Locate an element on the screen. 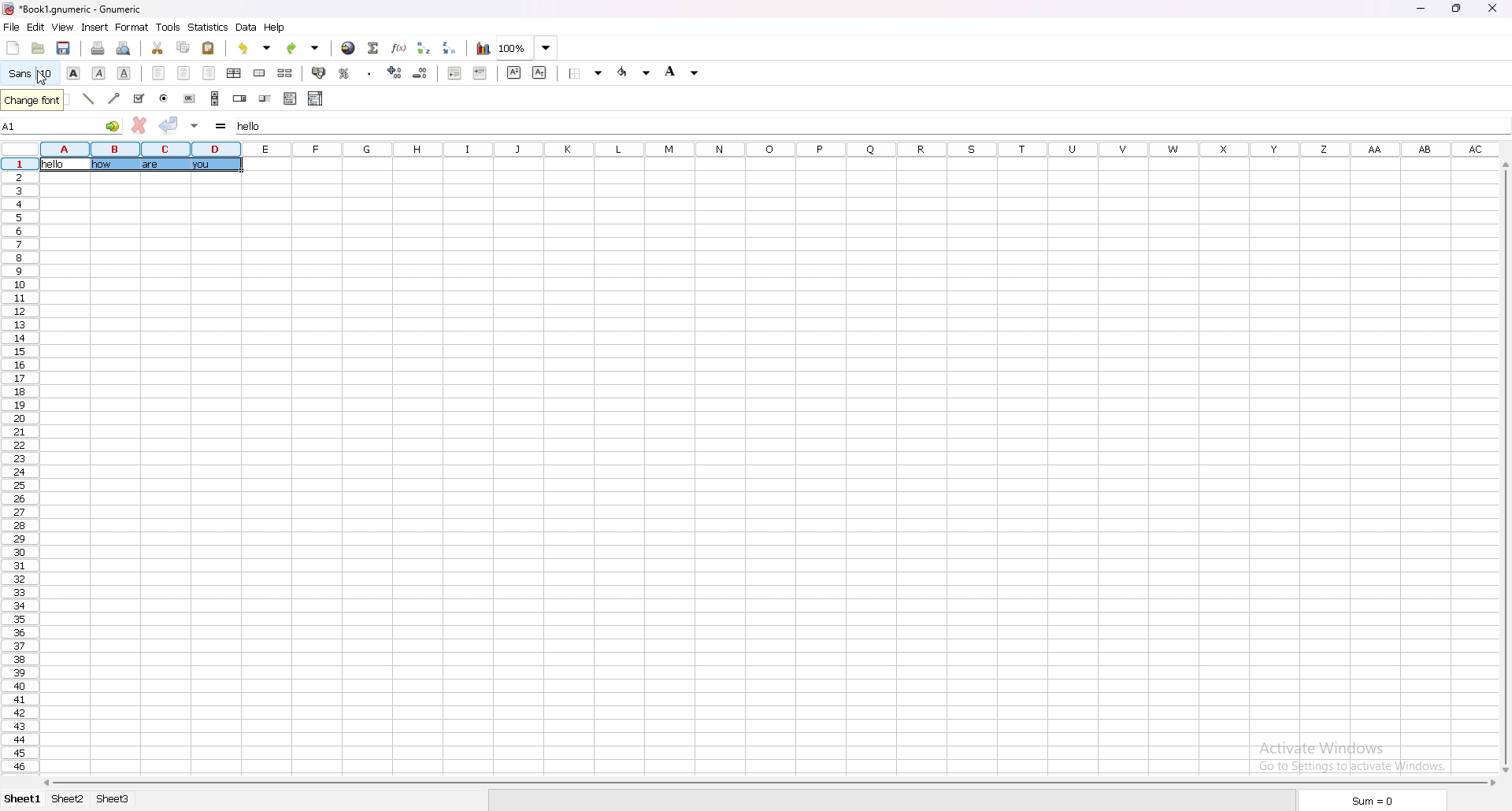 The width and height of the screenshot is (1512, 811). file name is located at coordinates (73, 9).